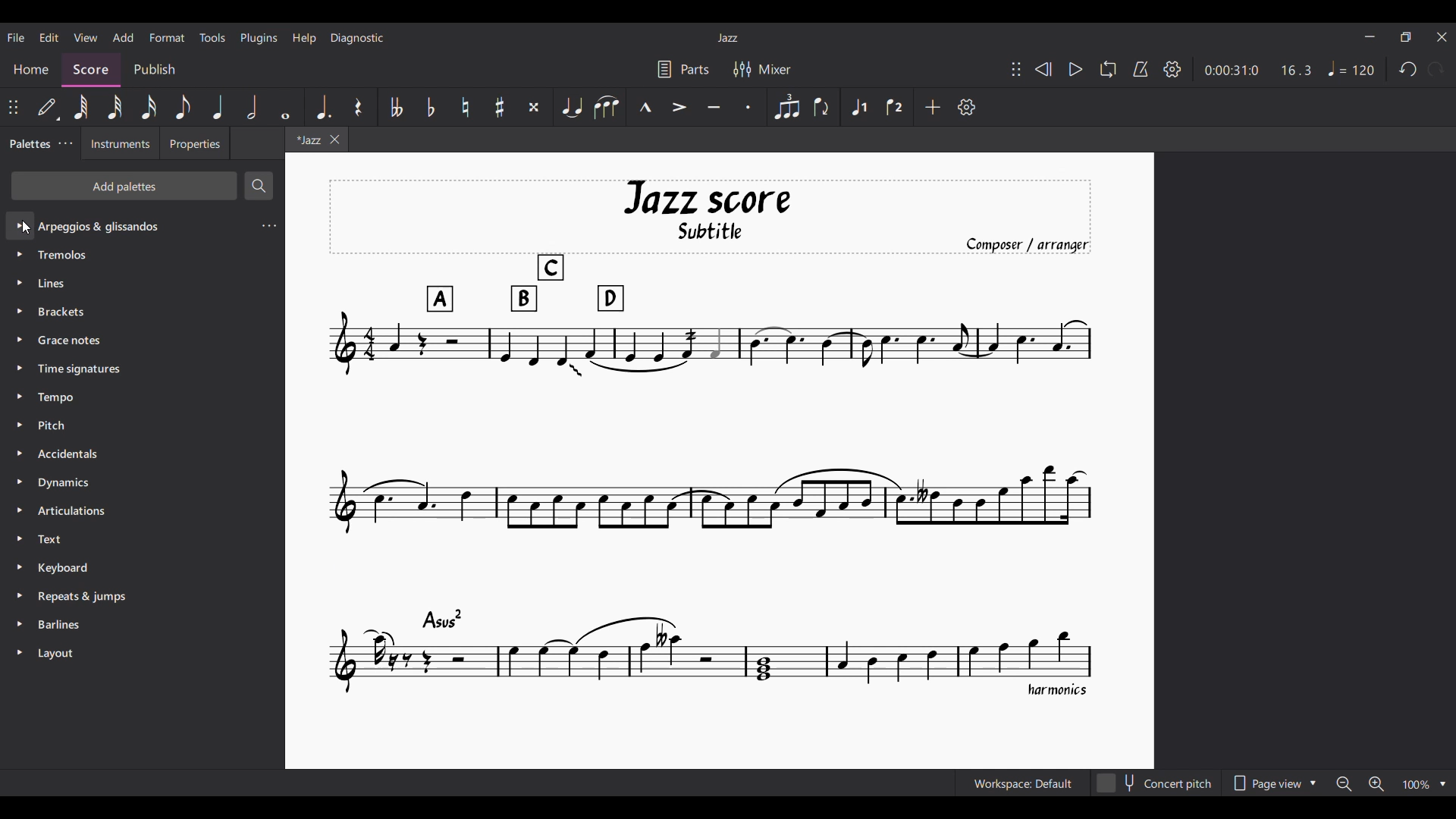 The image size is (1456, 819). What do you see at coordinates (500, 107) in the screenshot?
I see `Toggle sharp` at bounding box center [500, 107].